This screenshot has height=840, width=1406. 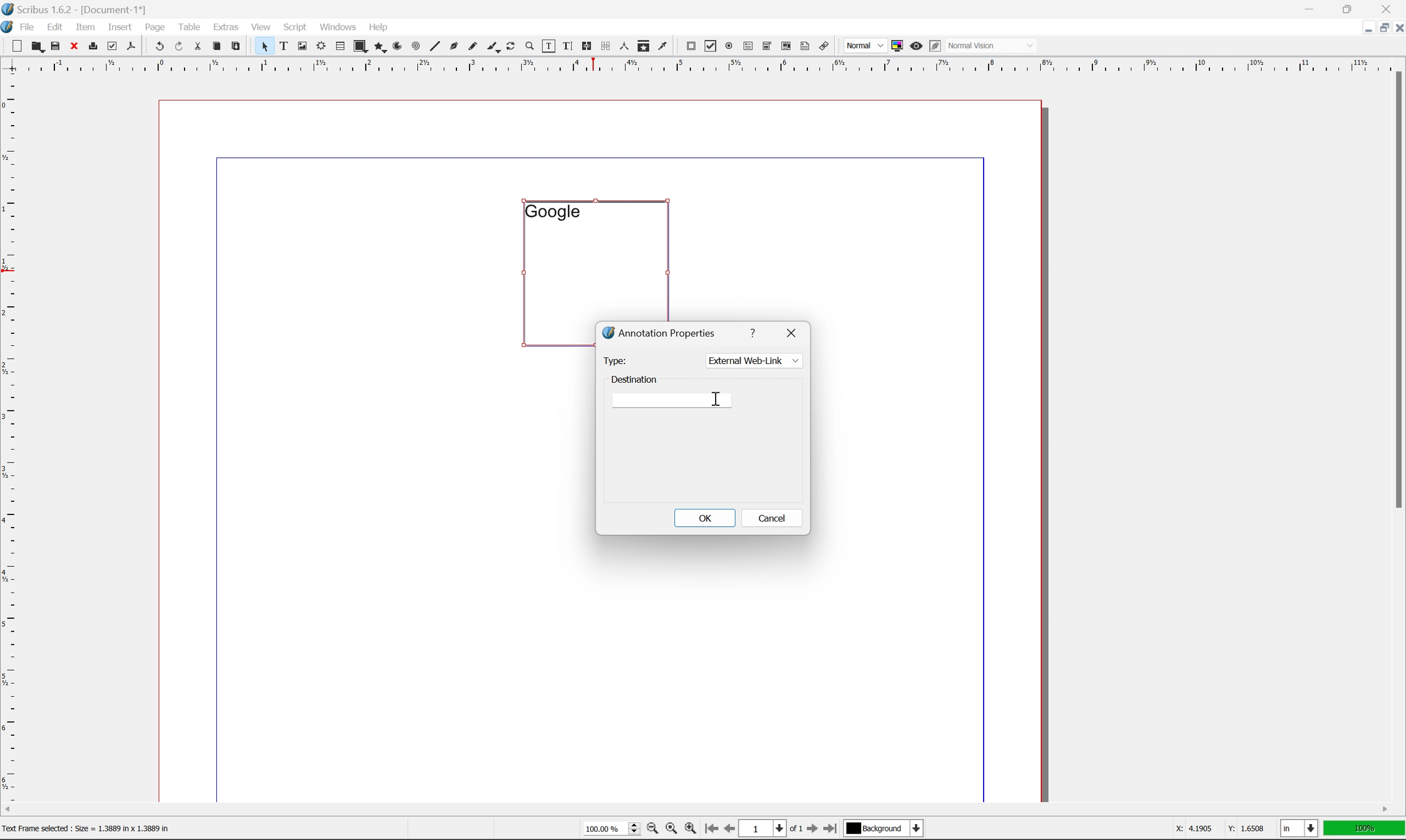 What do you see at coordinates (1351, 8) in the screenshot?
I see `restore down` at bounding box center [1351, 8].